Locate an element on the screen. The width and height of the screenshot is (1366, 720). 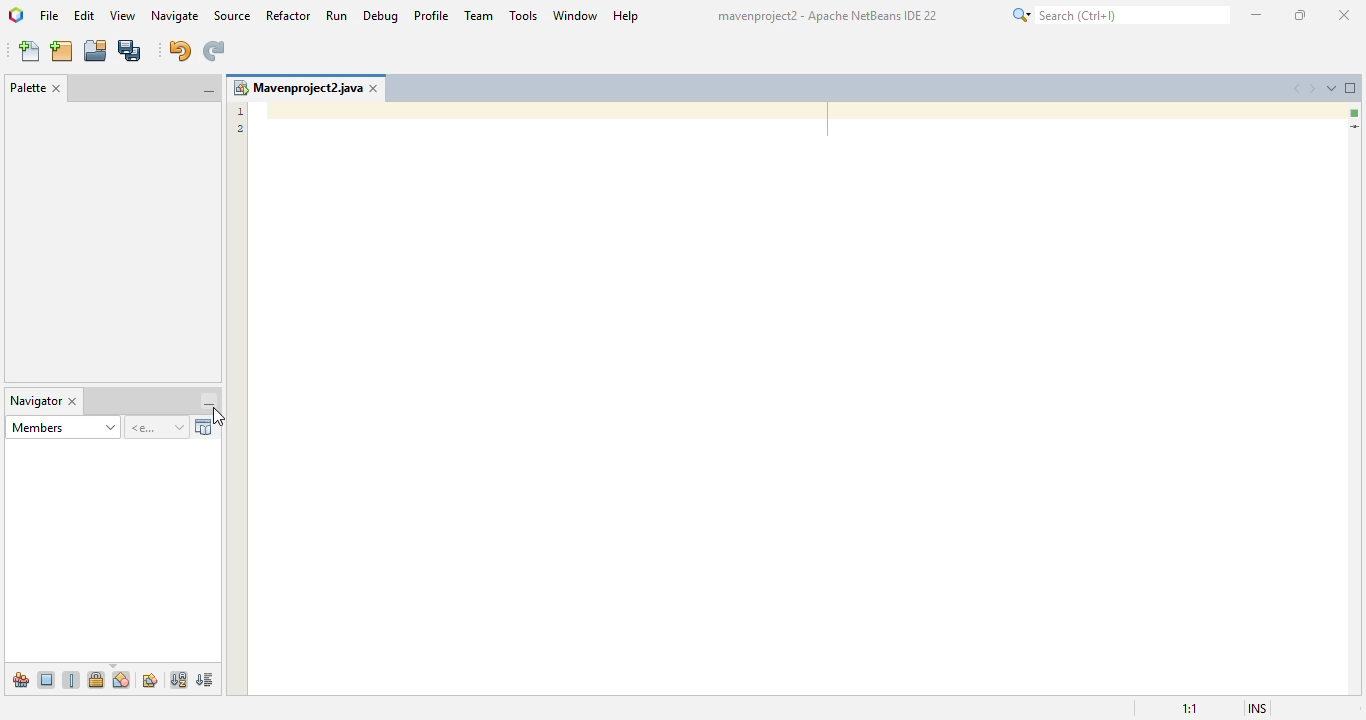
edit is located at coordinates (84, 15).